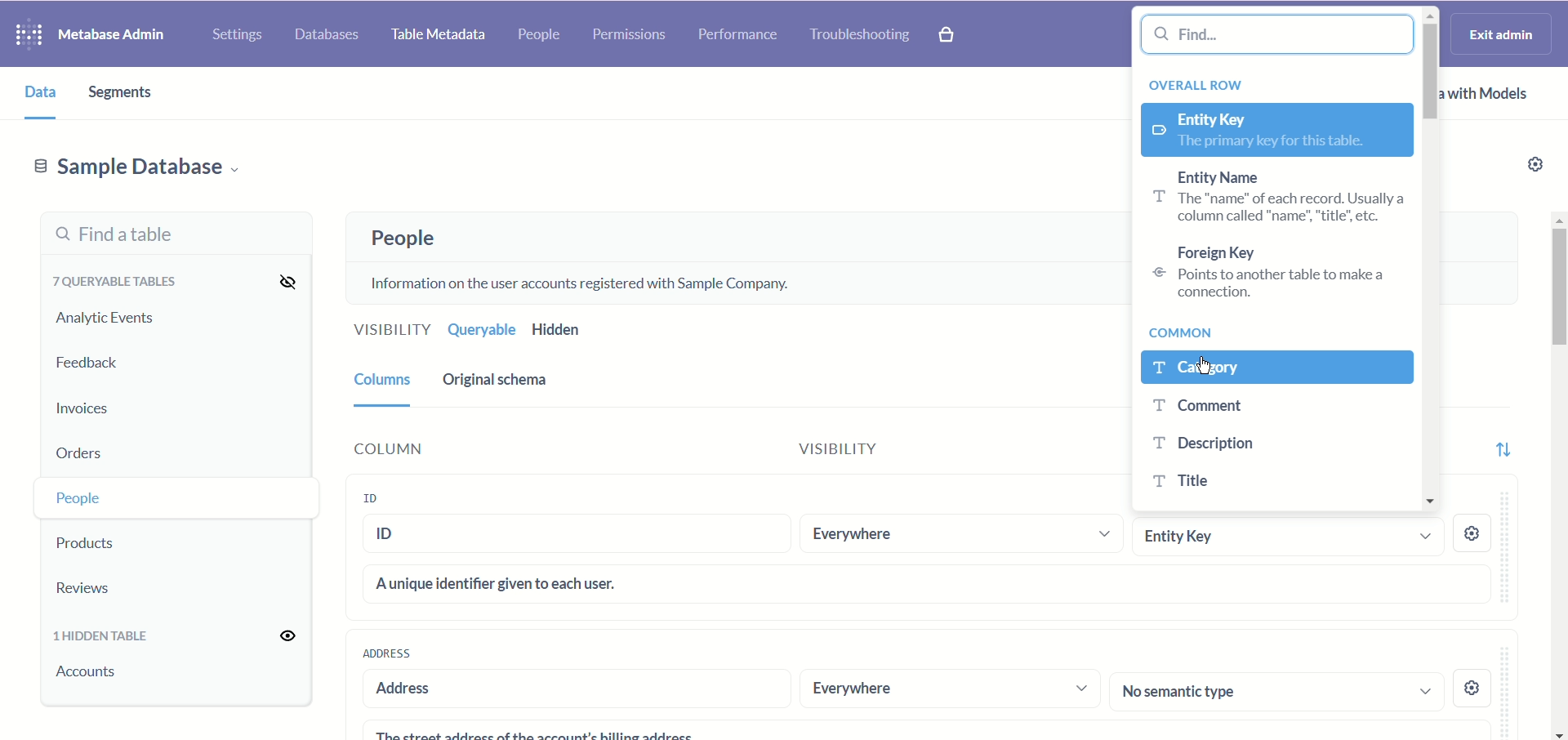  Describe the element at coordinates (1277, 690) in the screenshot. I see `No semantic type` at that location.